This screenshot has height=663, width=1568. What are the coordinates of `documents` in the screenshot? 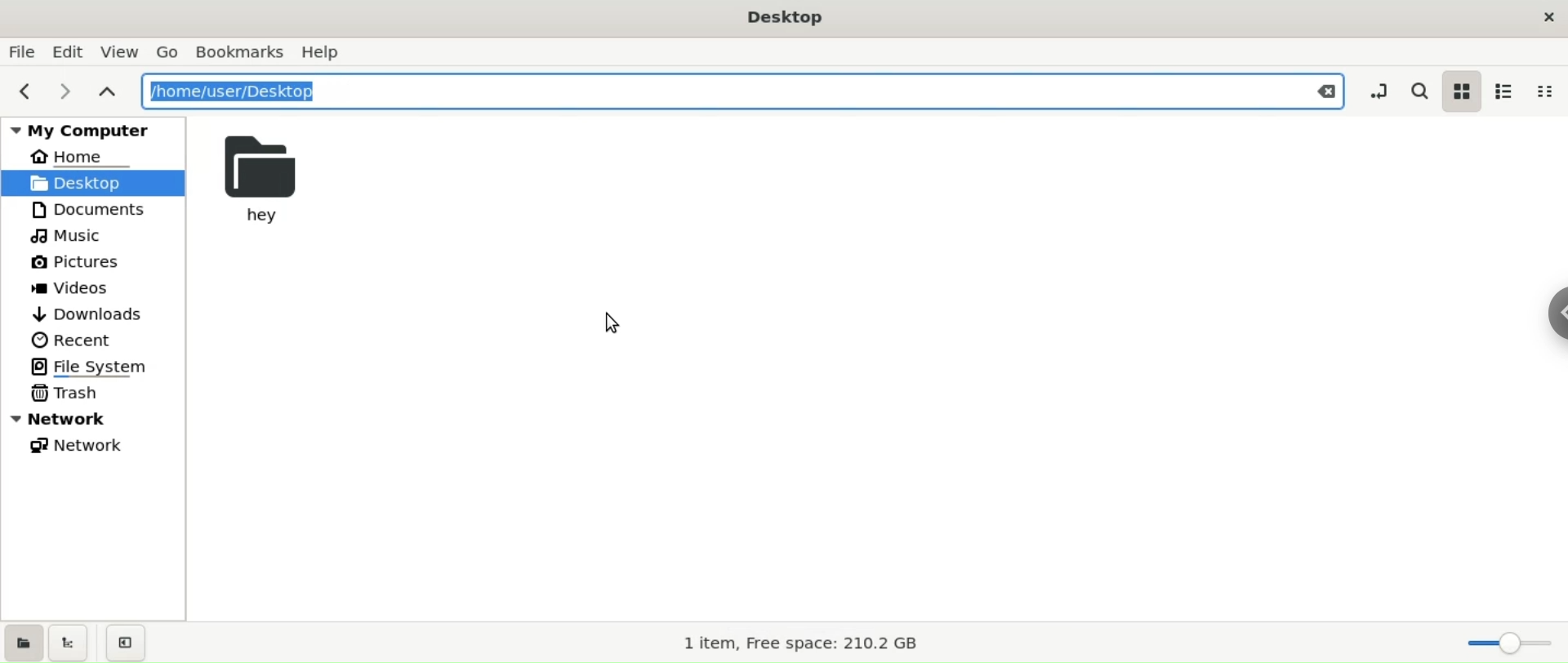 It's located at (89, 212).